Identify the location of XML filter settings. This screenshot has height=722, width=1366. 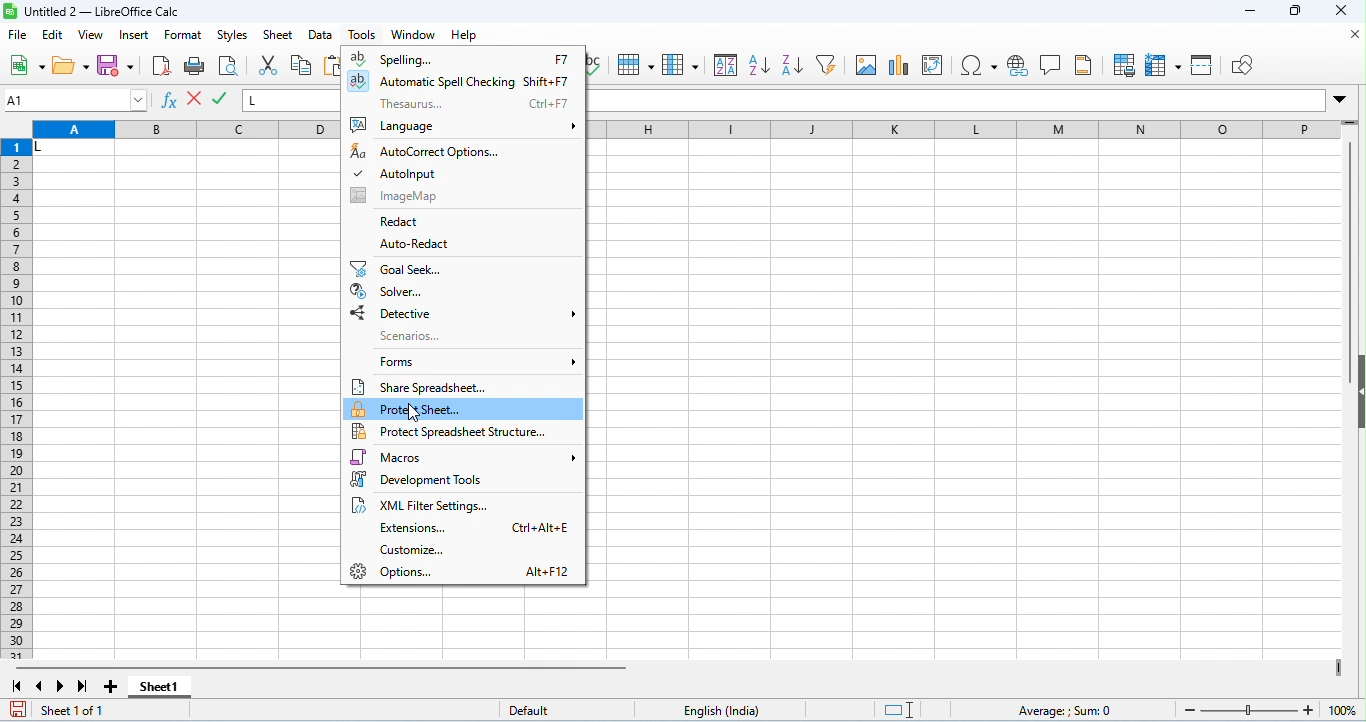
(425, 506).